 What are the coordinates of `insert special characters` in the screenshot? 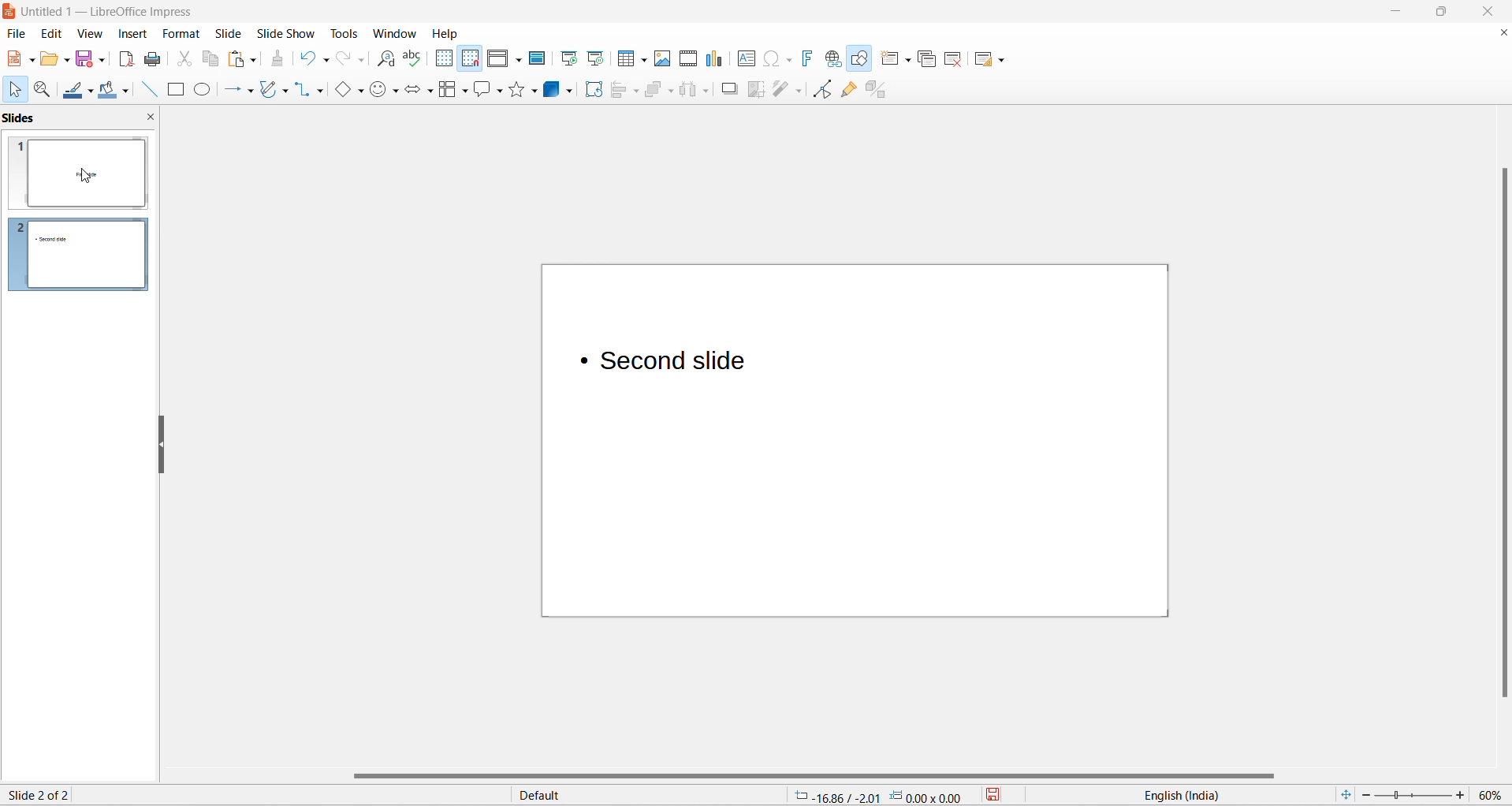 It's located at (776, 58).